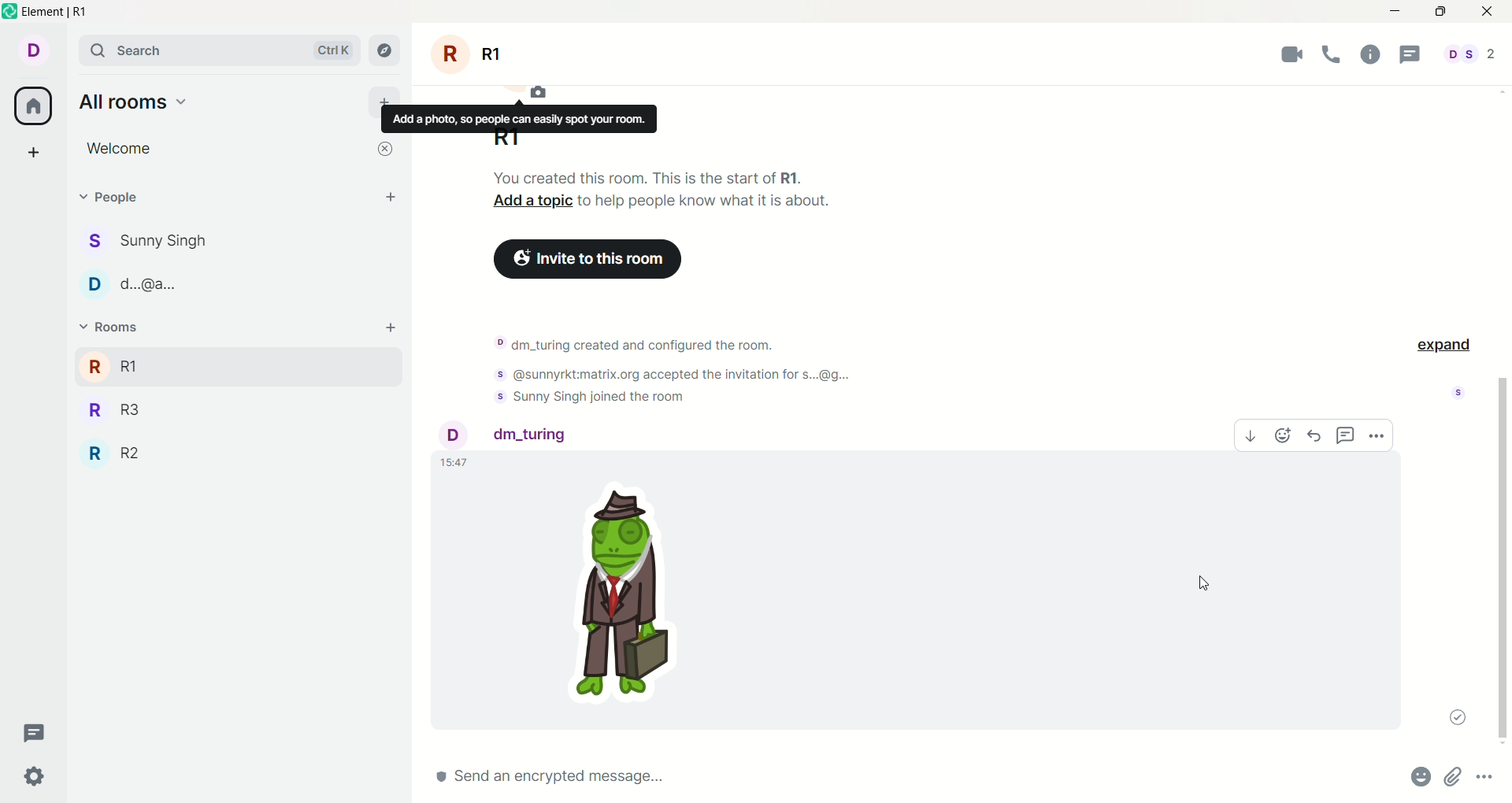 Image resolution: width=1512 pixels, height=803 pixels. What do you see at coordinates (1332, 54) in the screenshot?
I see `voice call` at bounding box center [1332, 54].